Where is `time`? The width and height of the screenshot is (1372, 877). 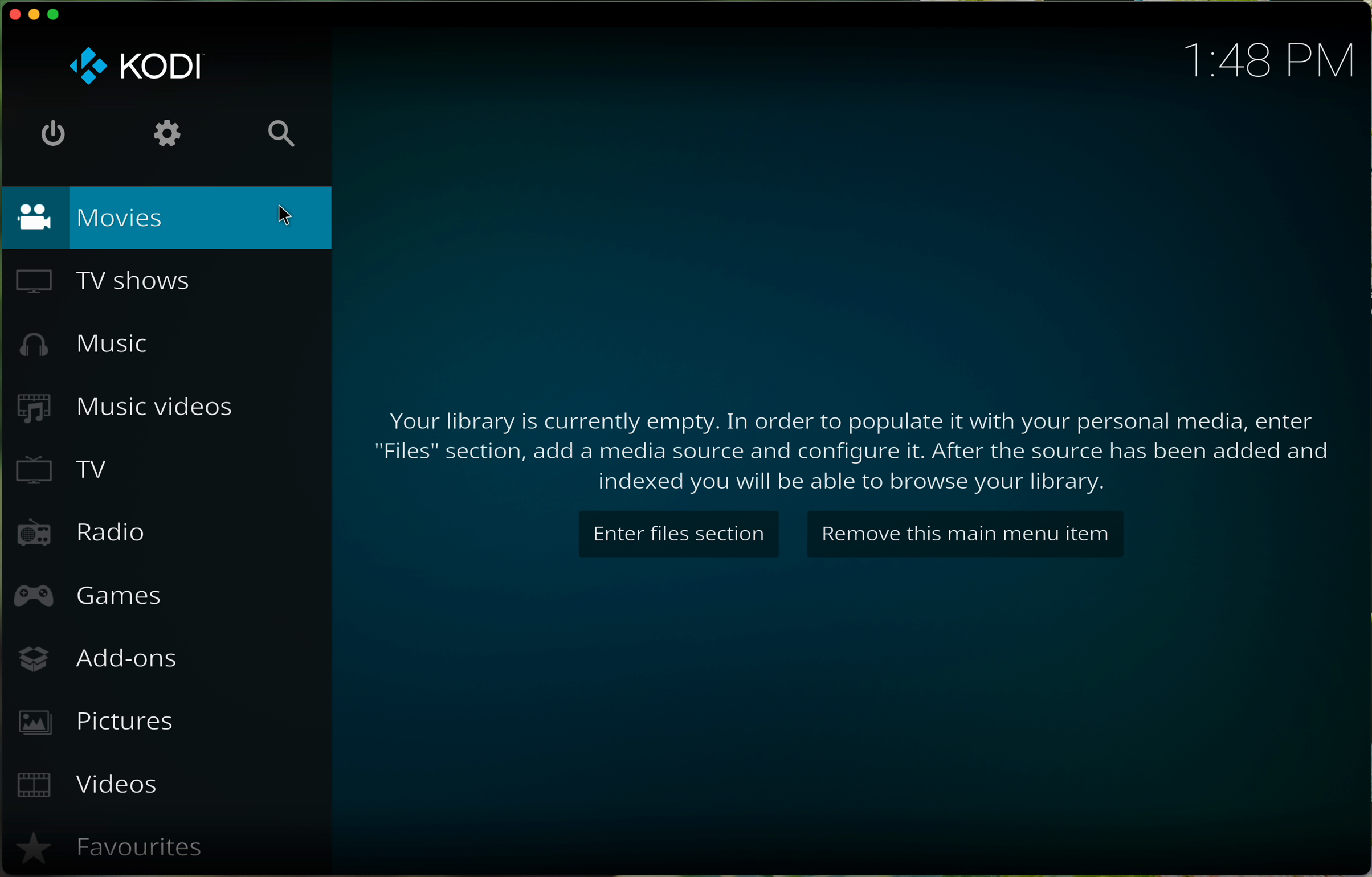 time is located at coordinates (1260, 62).